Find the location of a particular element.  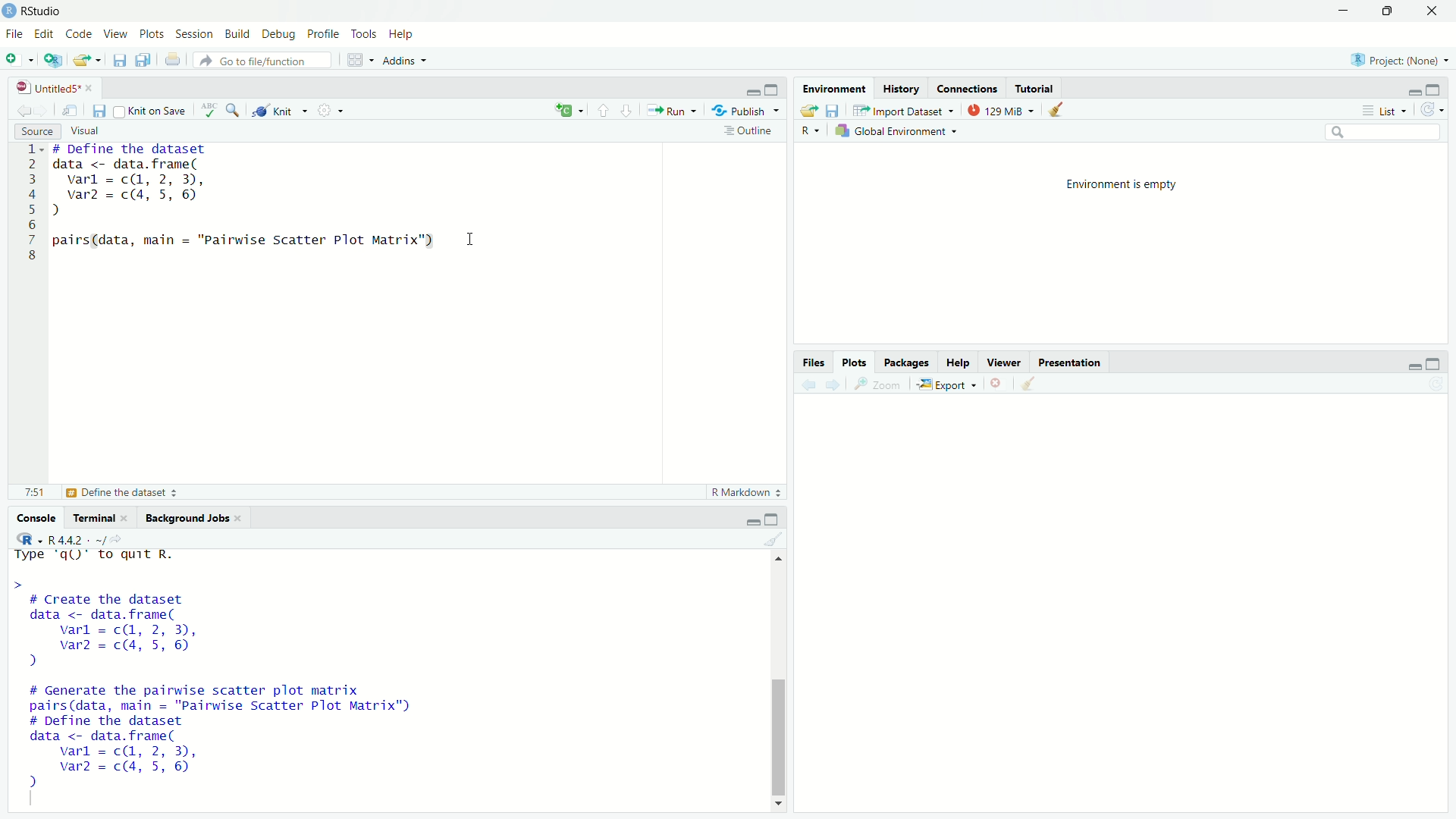

Spell check is located at coordinates (209, 111).